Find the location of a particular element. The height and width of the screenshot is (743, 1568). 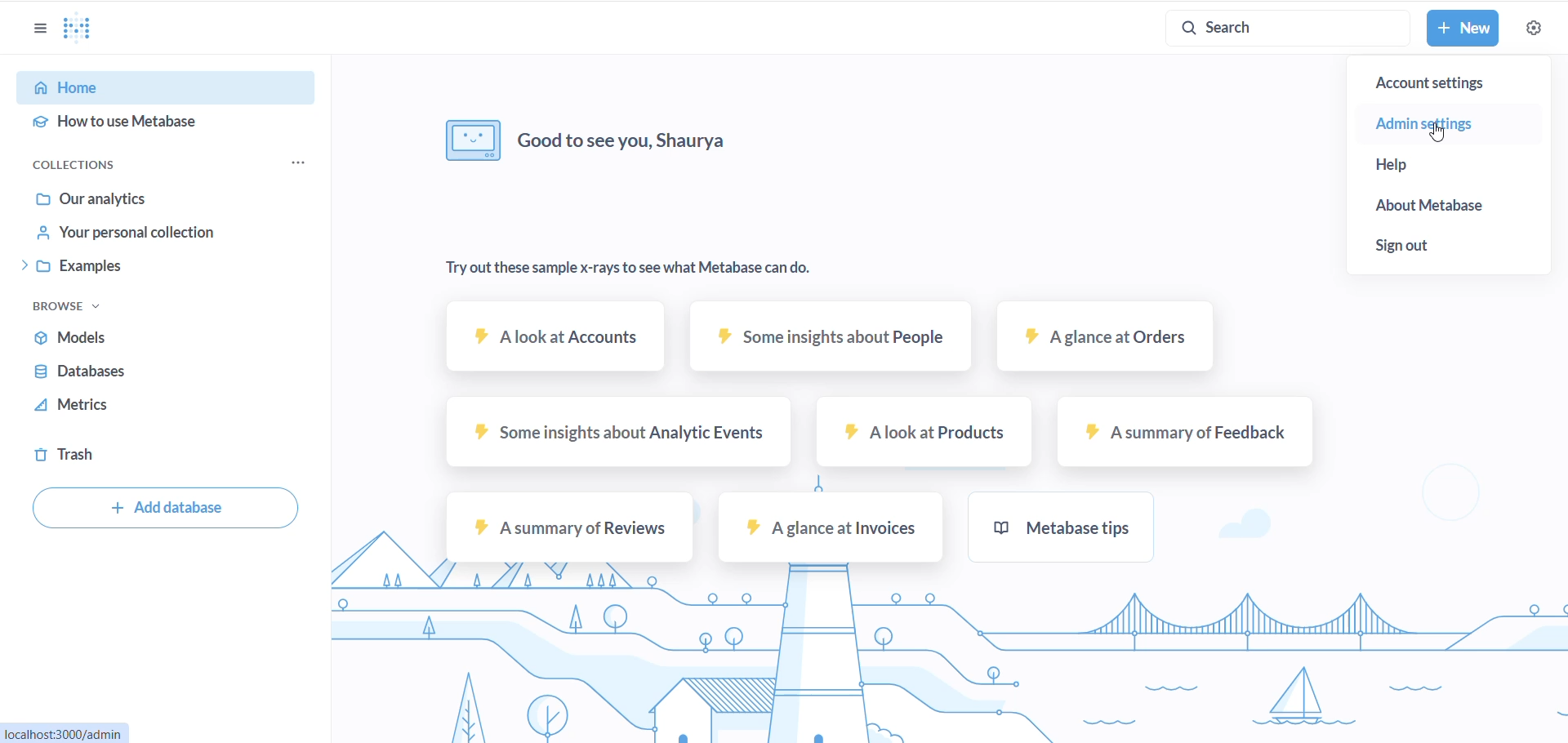

EXAMPLES is located at coordinates (133, 266).